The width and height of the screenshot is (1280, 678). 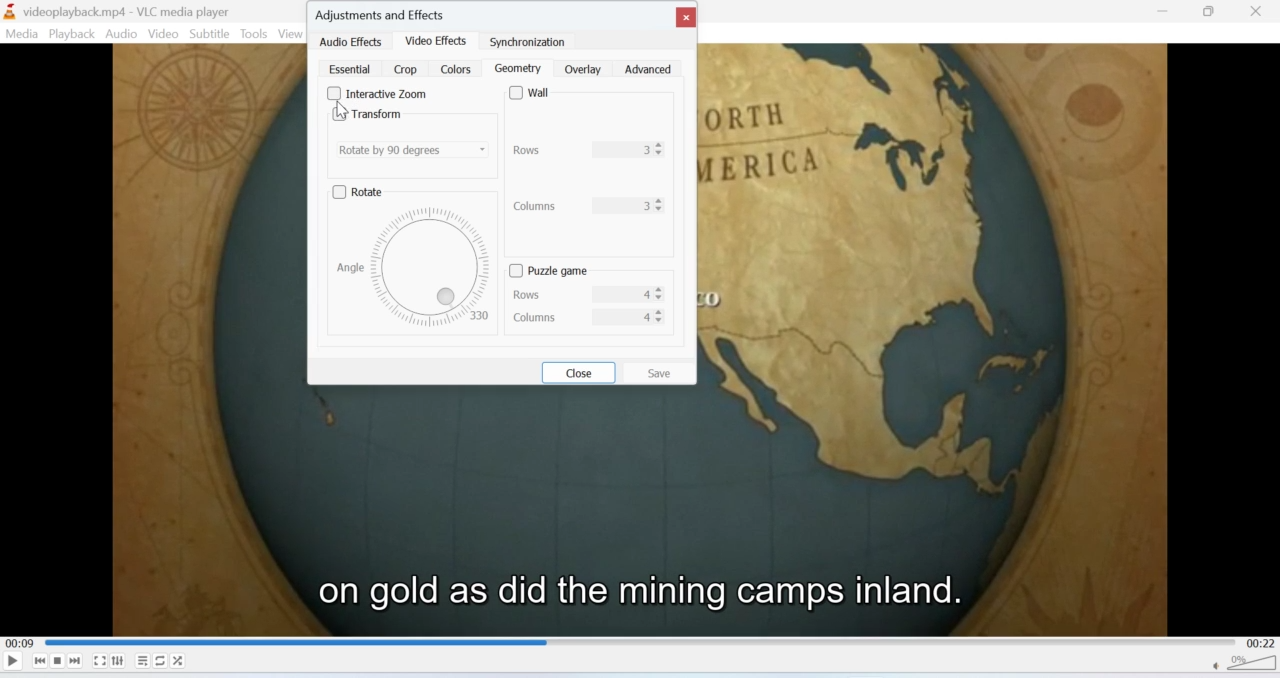 What do you see at coordinates (593, 150) in the screenshot?
I see `Rows  3` at bounding box center [593, 150].